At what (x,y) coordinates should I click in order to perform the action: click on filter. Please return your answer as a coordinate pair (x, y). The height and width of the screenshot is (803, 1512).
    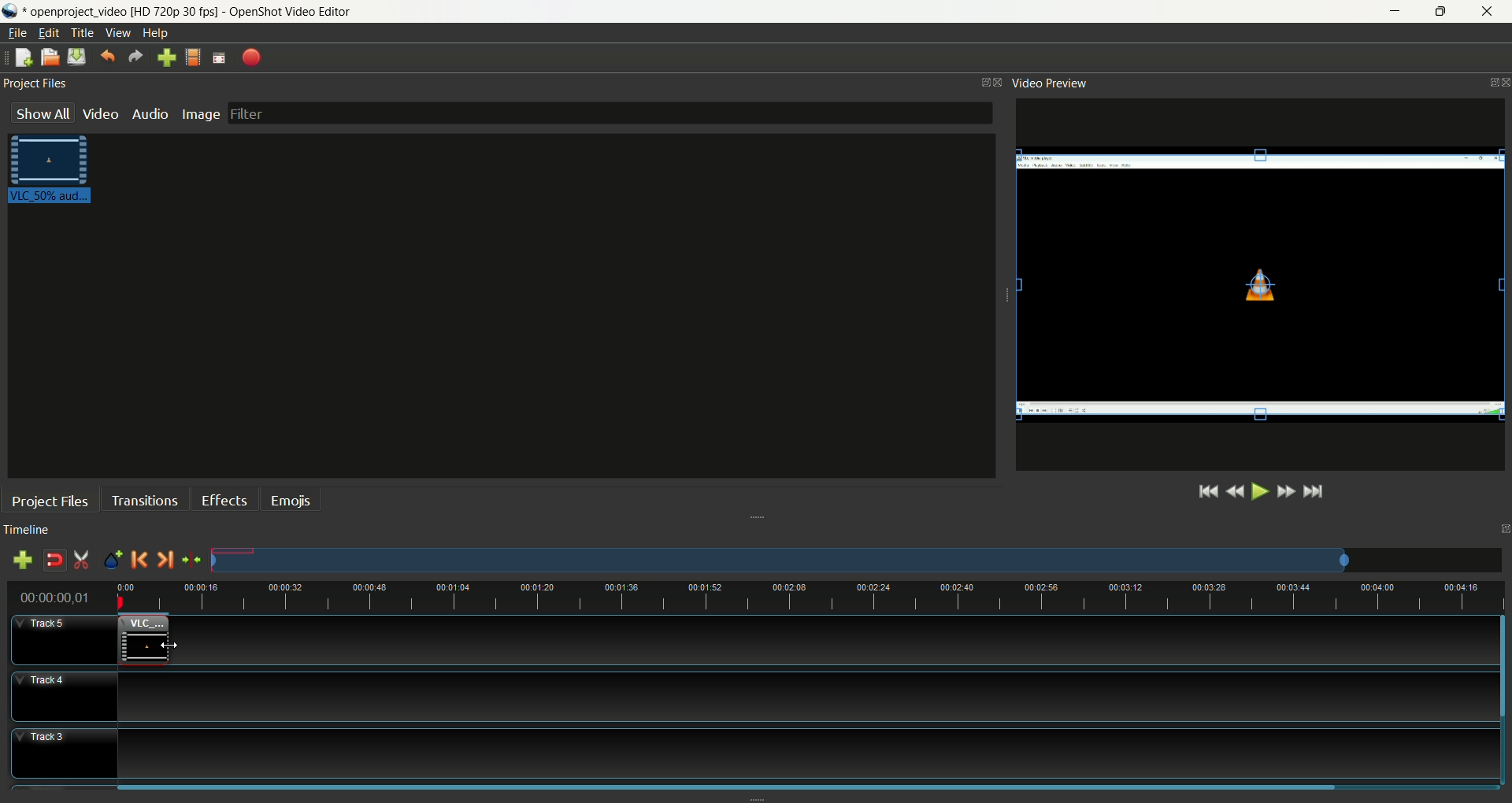
    Looking at the image, I should click on (611, 113).